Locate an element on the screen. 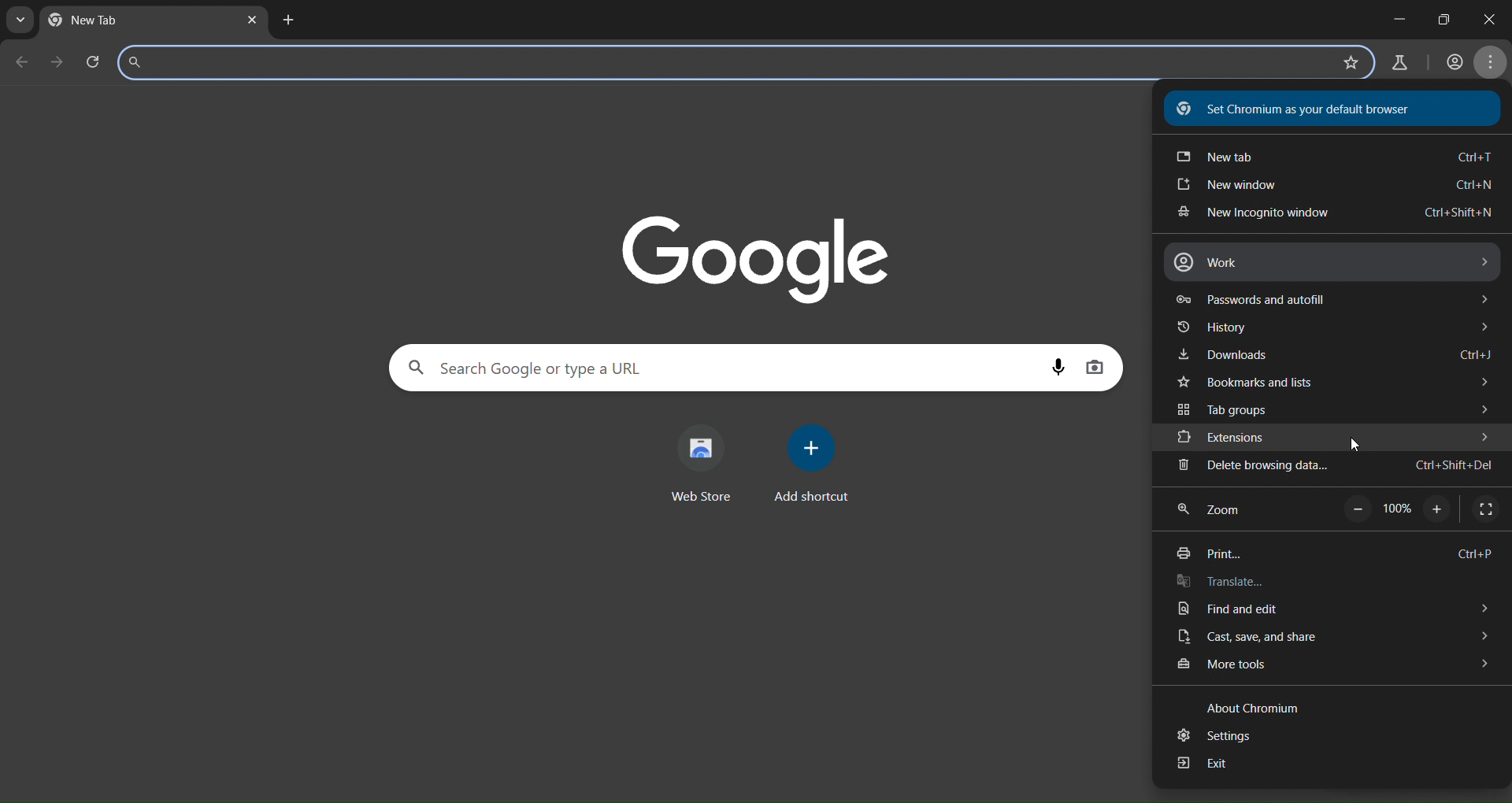 This screenshot has width=1512, height=803. menu is located at coordinates (1489, 62).